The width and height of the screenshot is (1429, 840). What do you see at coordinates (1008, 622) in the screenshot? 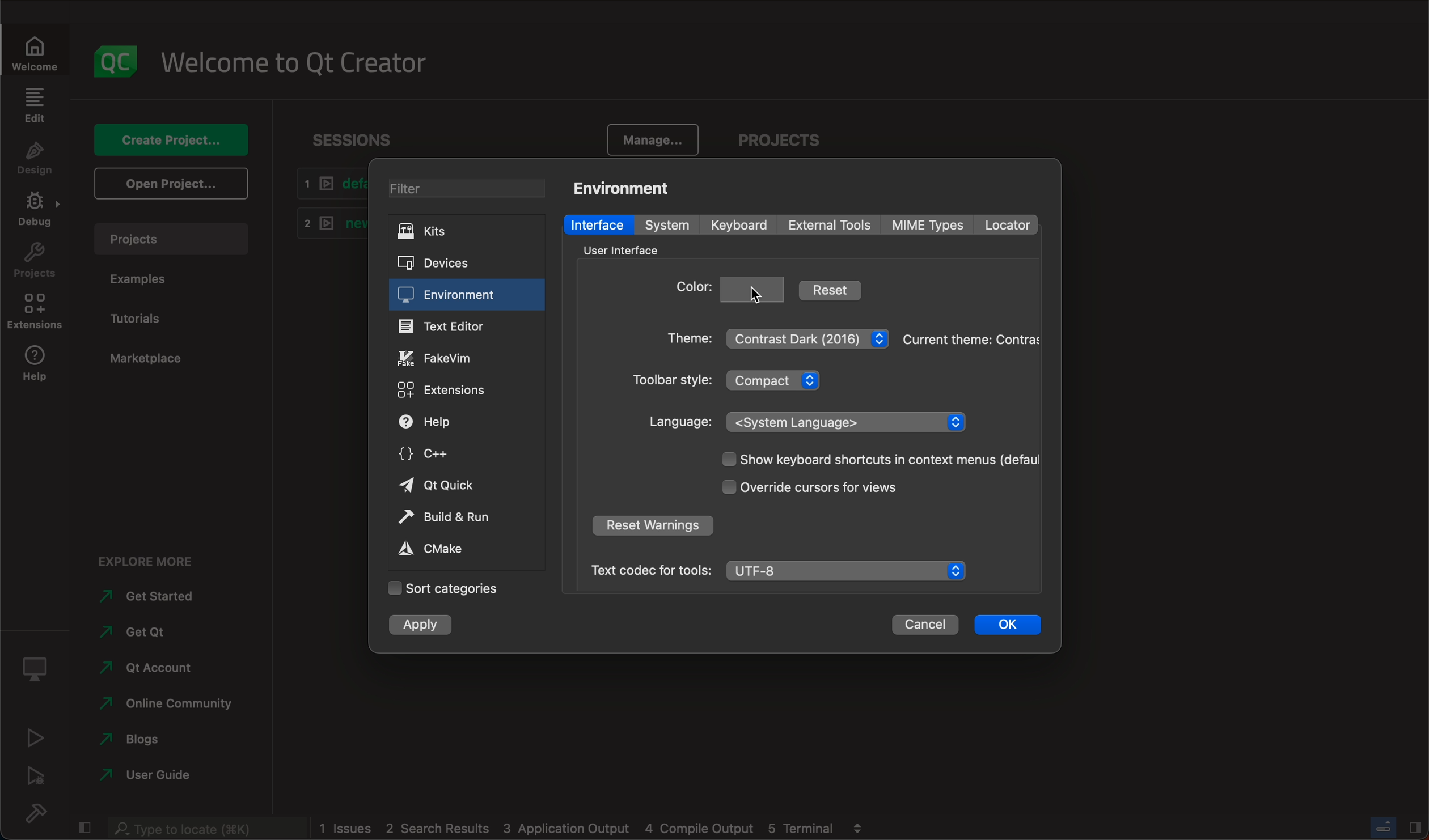
I see `ok` at bounding box center [1008, 622].